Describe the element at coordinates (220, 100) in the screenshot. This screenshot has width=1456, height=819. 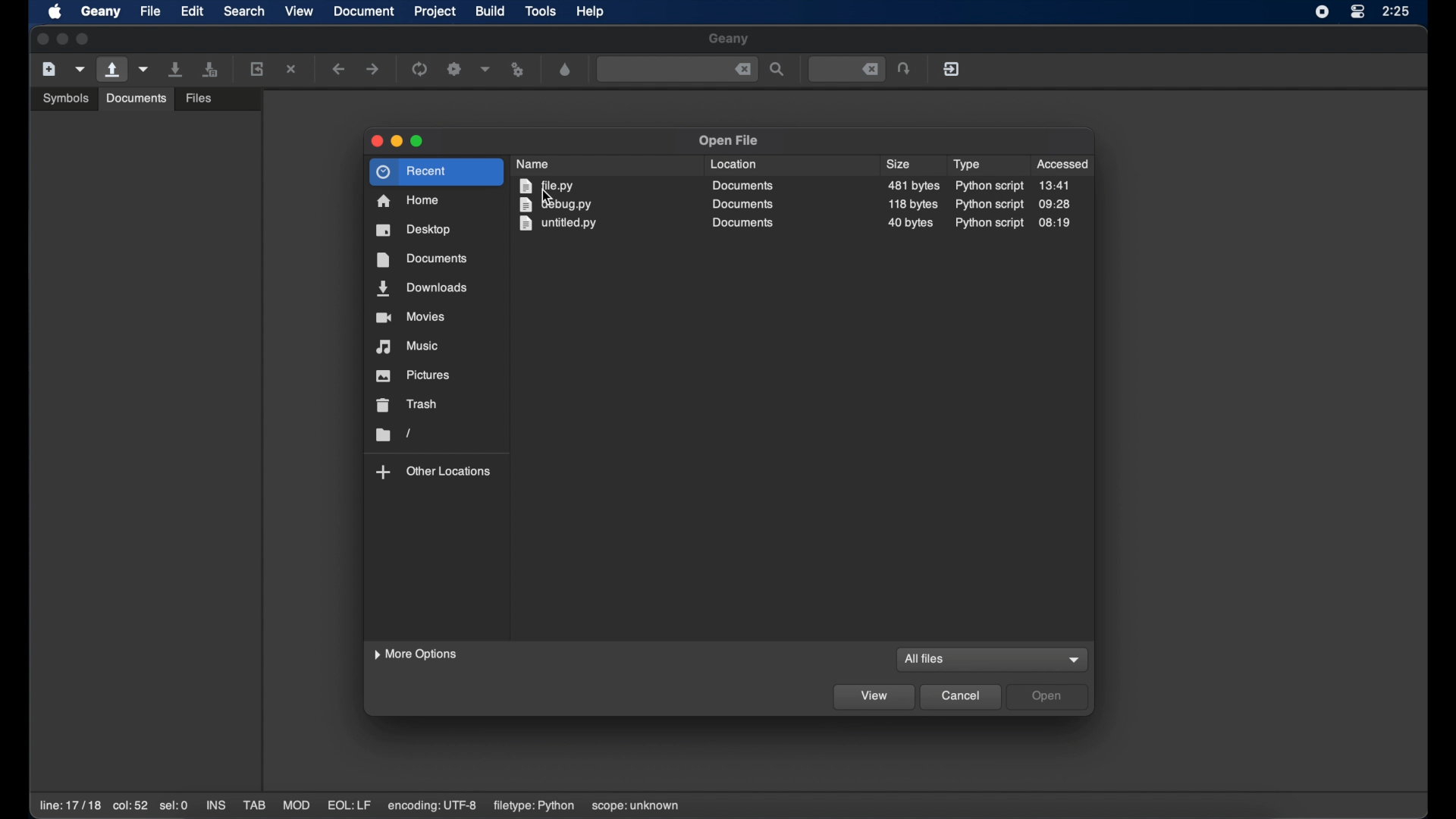
I see `open an existing file` at that location.